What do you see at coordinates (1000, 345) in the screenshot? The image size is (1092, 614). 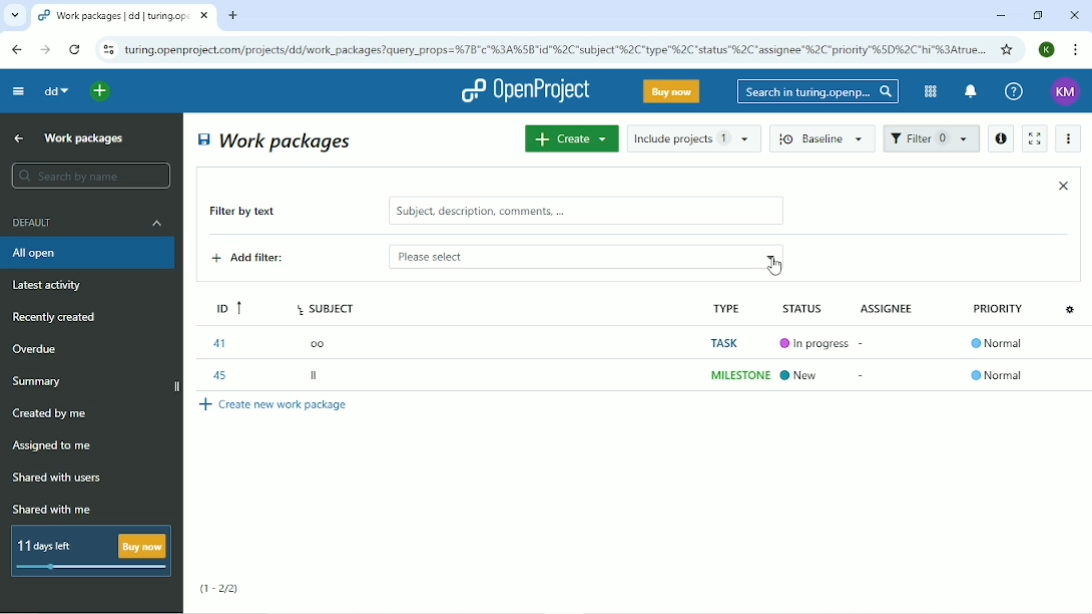 I see `Normal` at bounding box center [1000, 345].